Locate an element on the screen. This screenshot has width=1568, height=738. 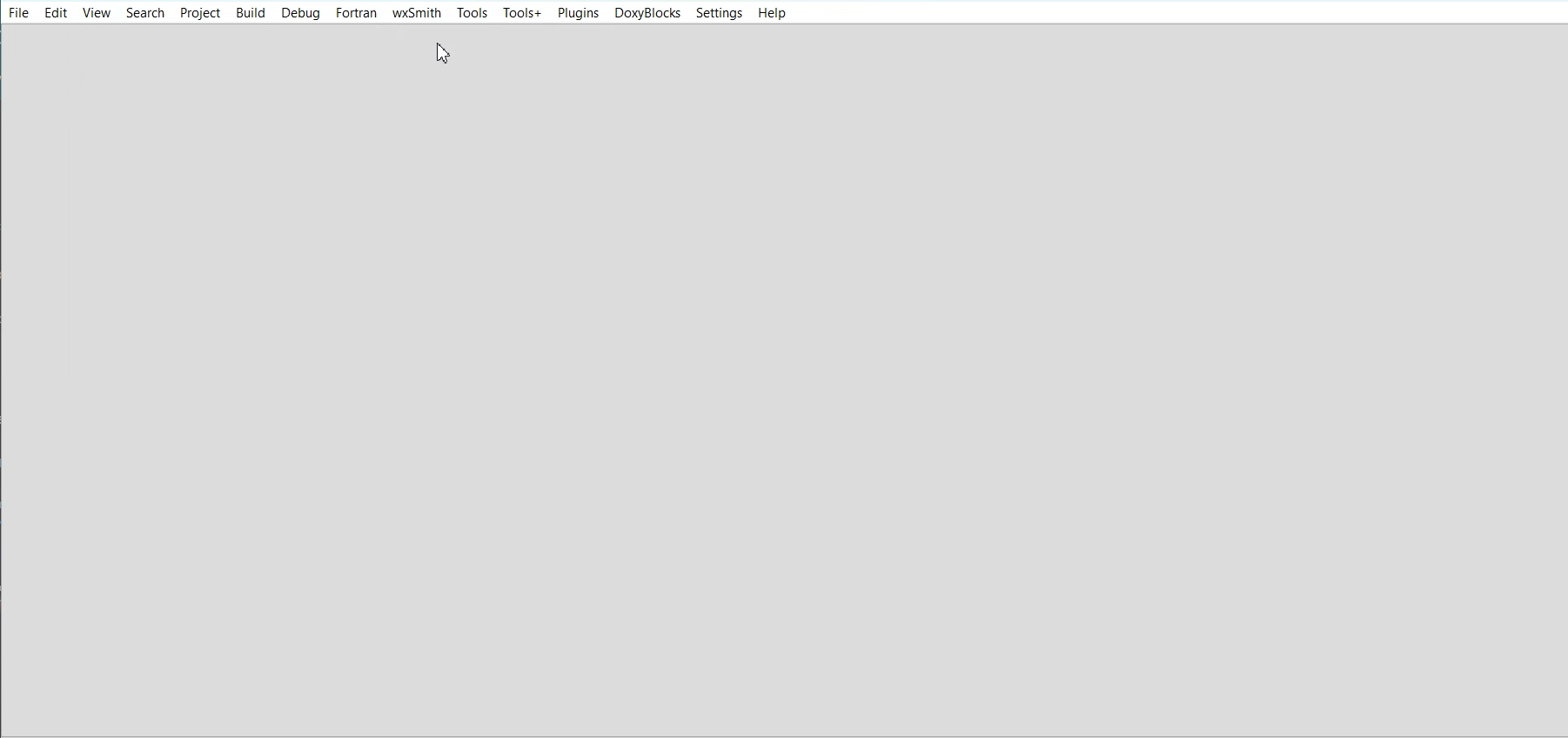
Plugins is located at coordinates (578, 13).